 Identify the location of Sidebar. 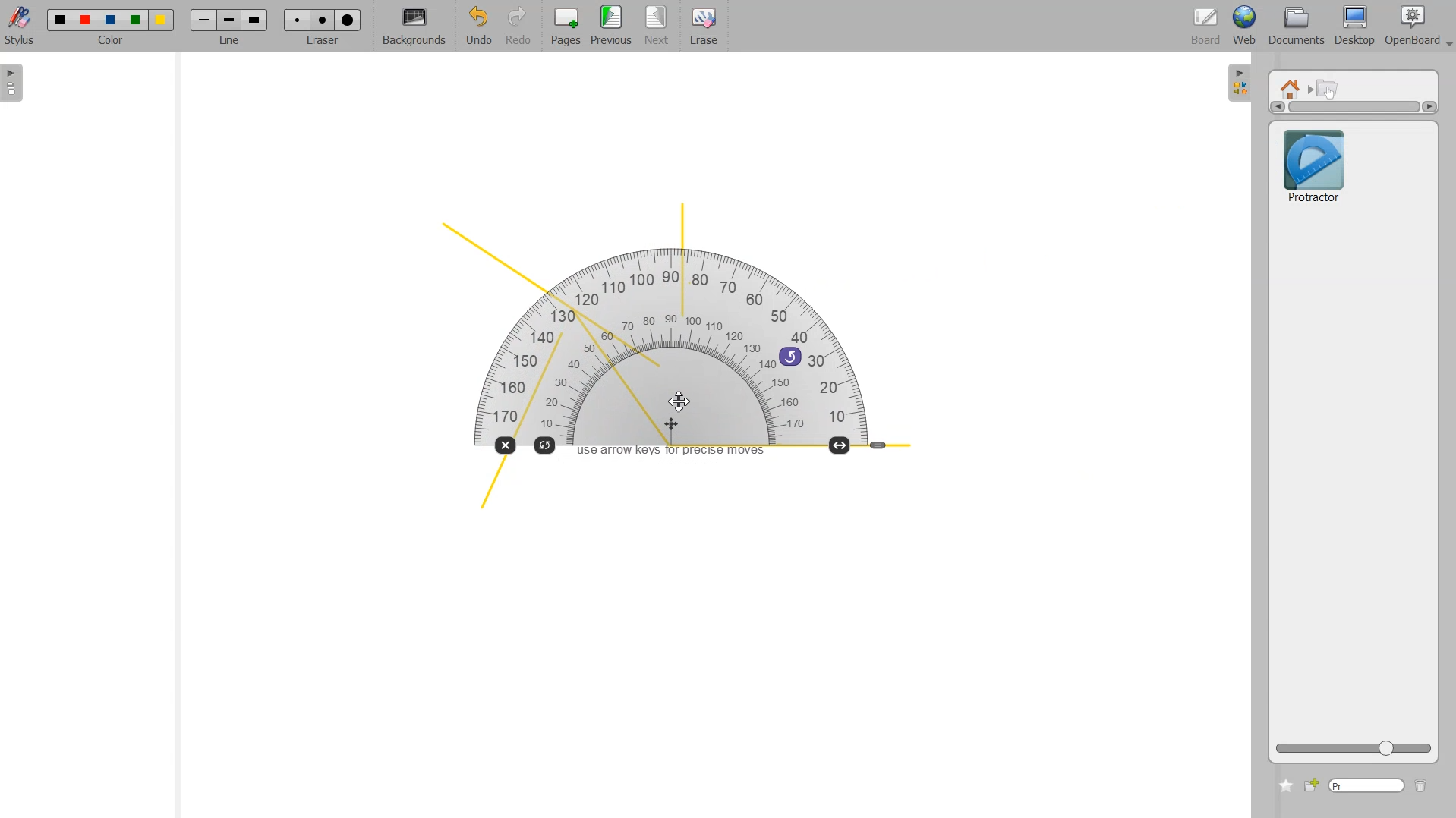
(17, 83).